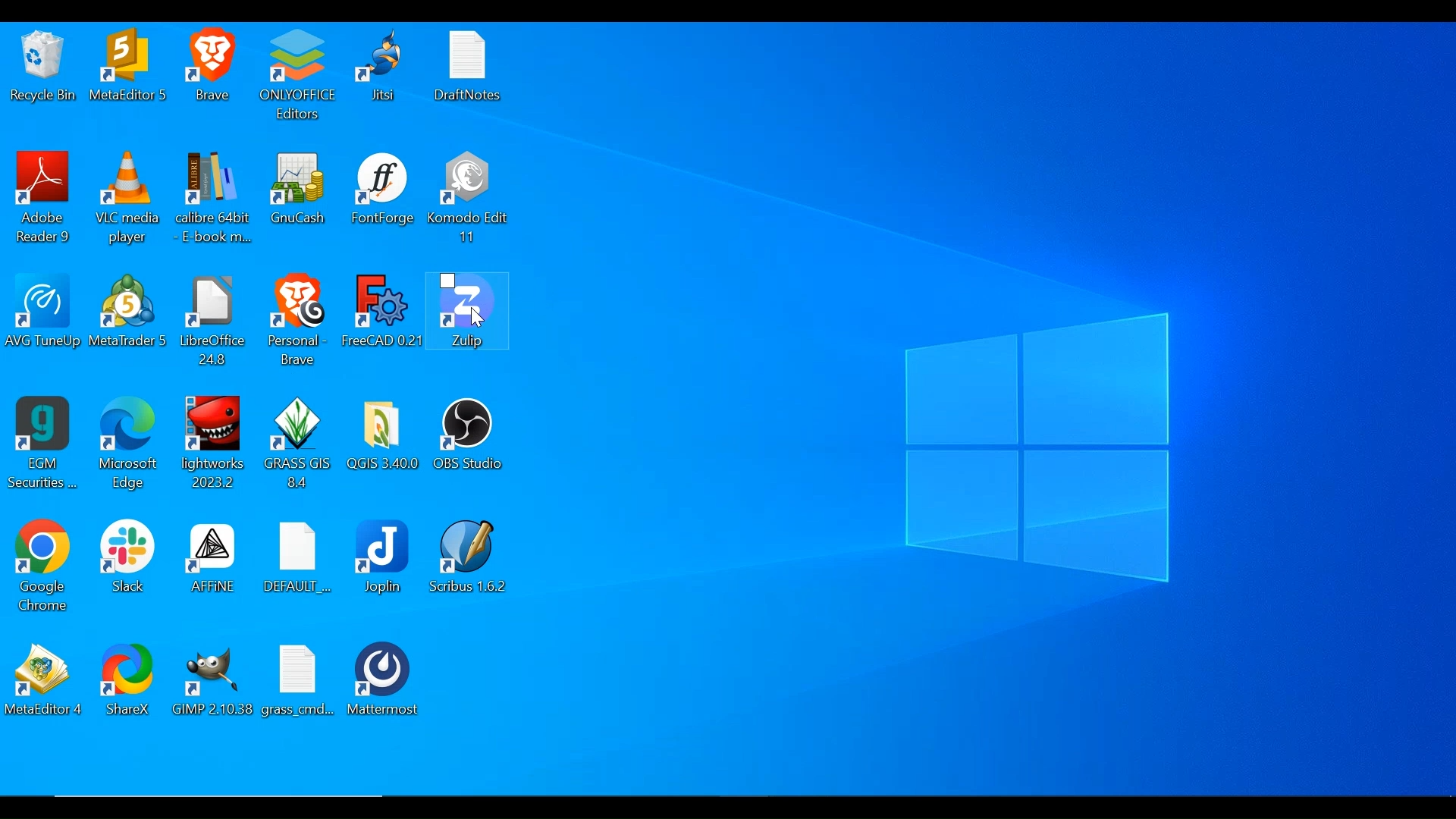 The width and height of the screenshot is (1456, 819). I want to click on Mattermost Desktop icon, so click(381, 683).